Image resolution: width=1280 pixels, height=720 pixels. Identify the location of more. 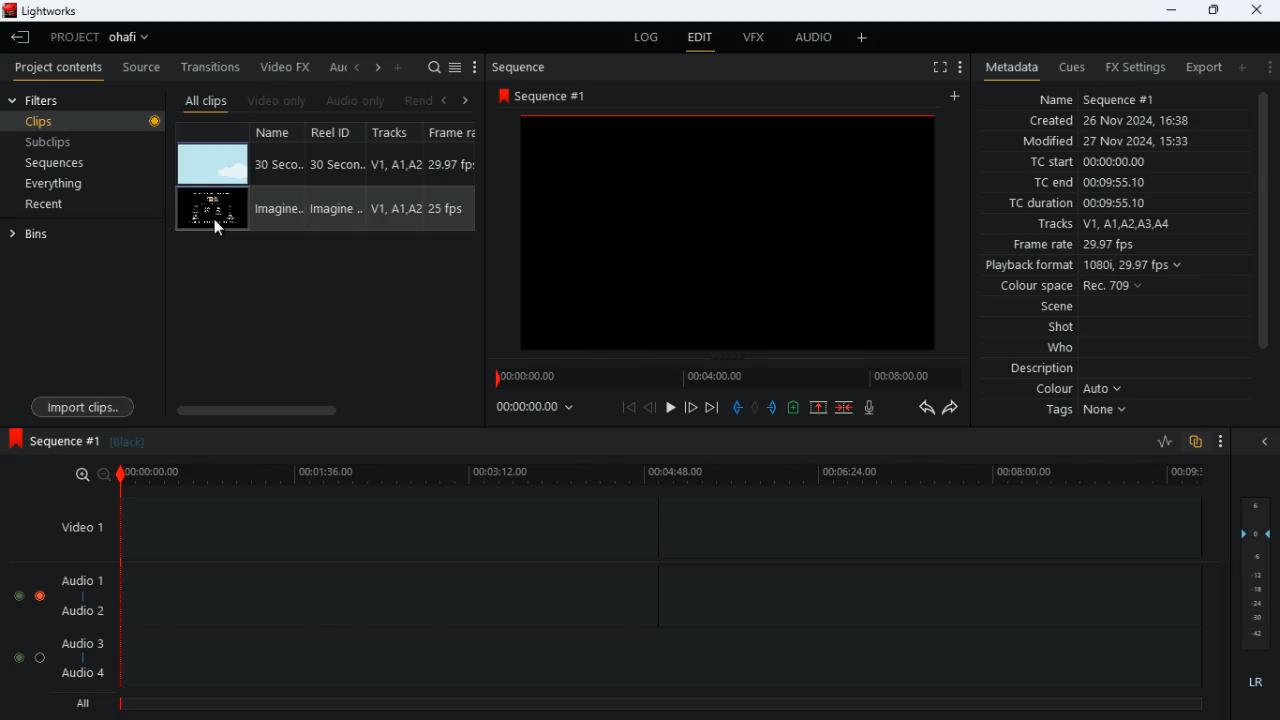
(1216, 440).